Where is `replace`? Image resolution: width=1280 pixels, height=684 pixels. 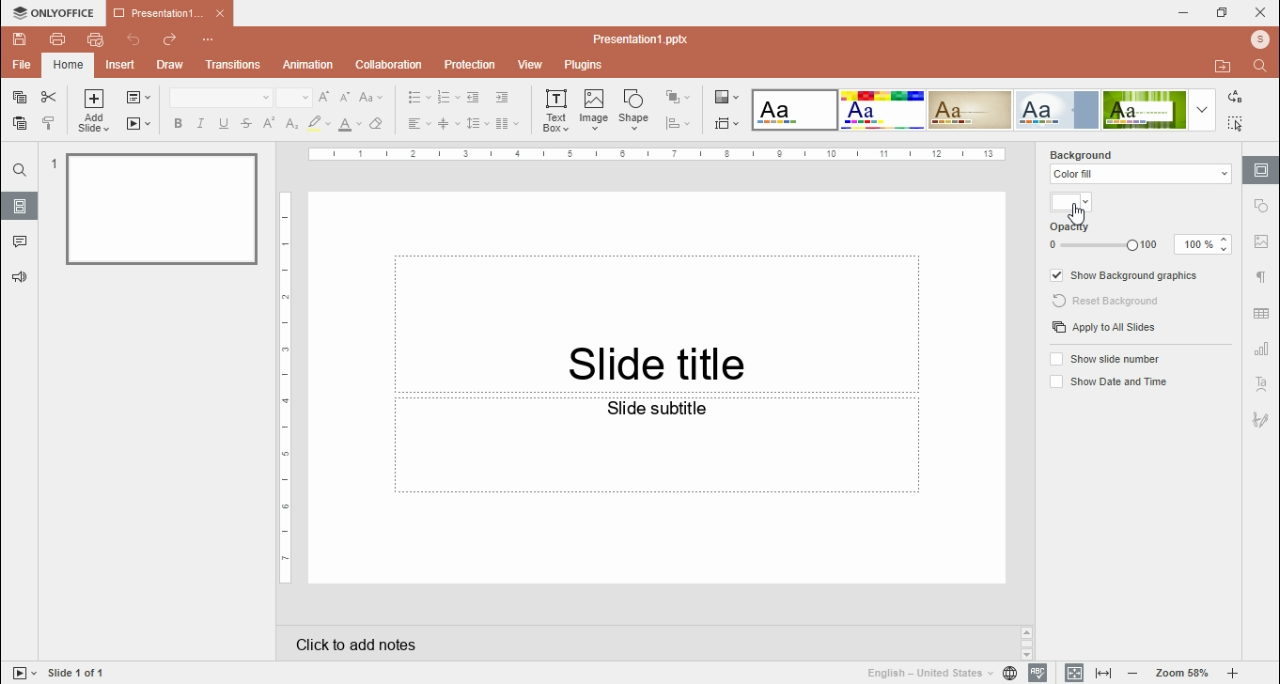
replace is located at coordinates (1236, 97).